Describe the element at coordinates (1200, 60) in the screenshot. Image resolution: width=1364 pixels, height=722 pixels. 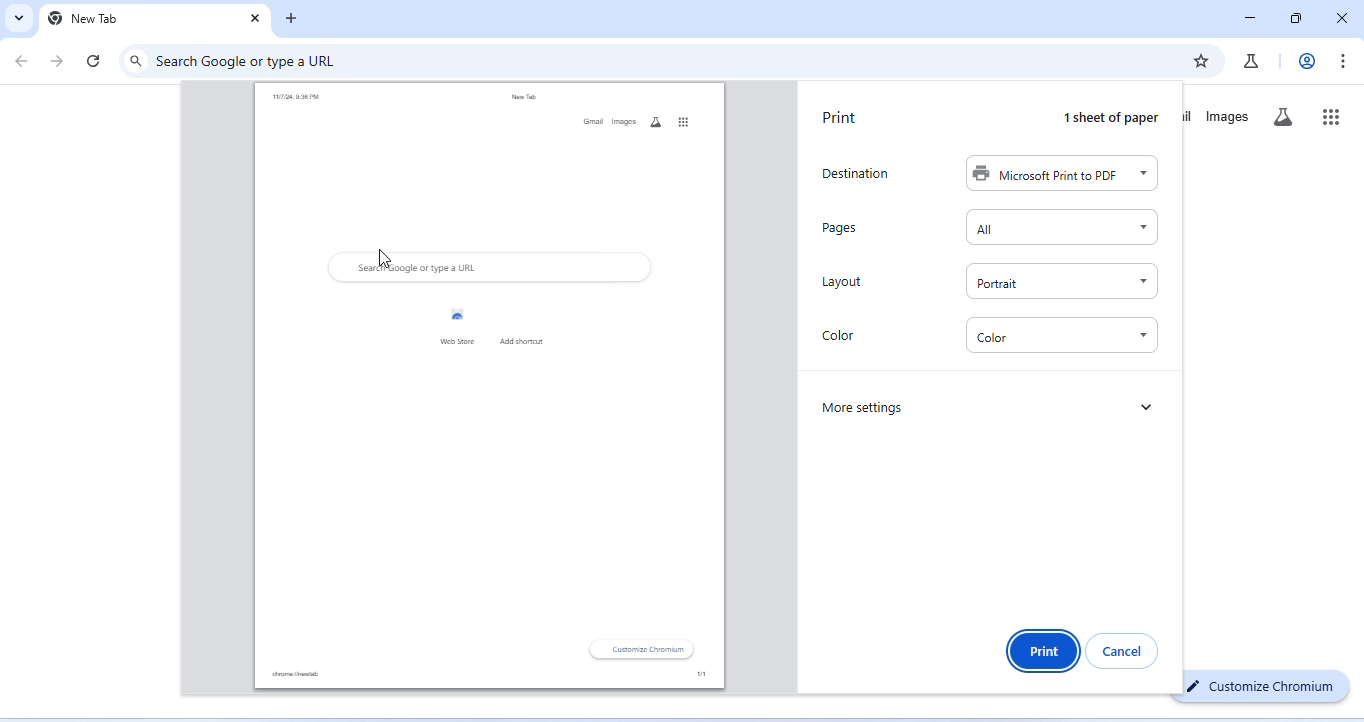
I see `add book marks` at that location.